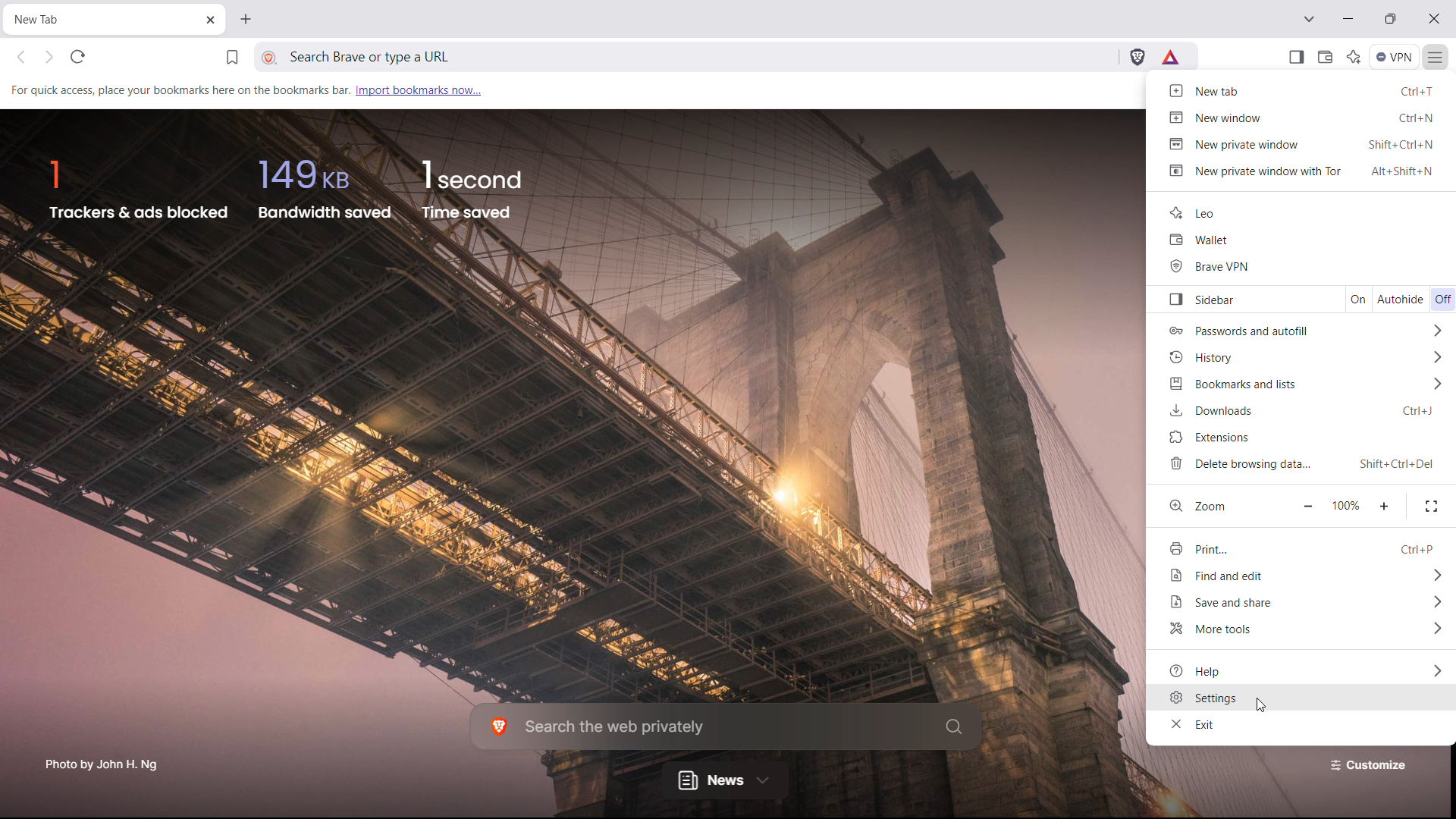  I want to click on On, so click(1352, 298).